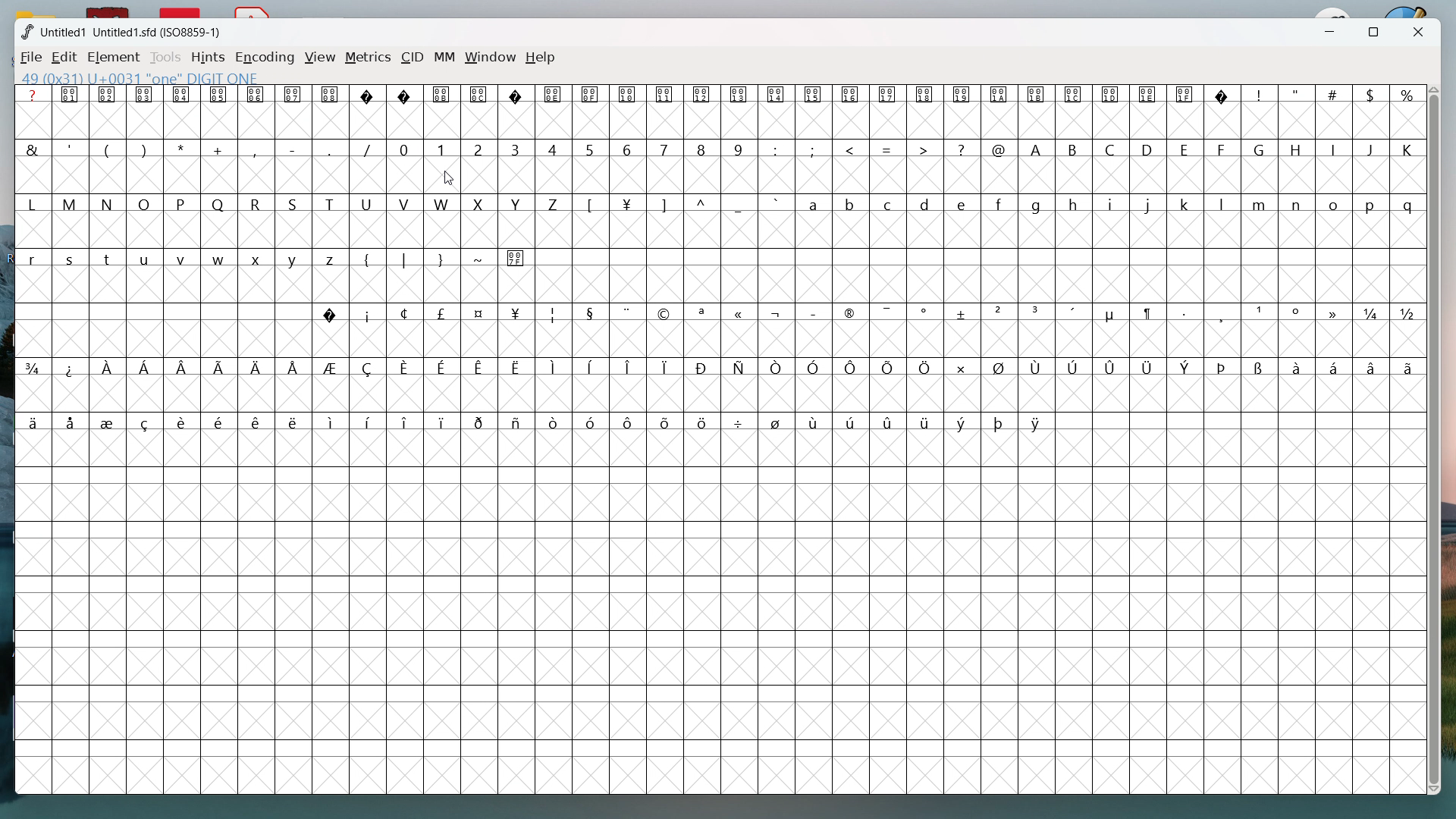  Describe the element at coordinates (71, 147) in the screenshot. I see `'` at that location.